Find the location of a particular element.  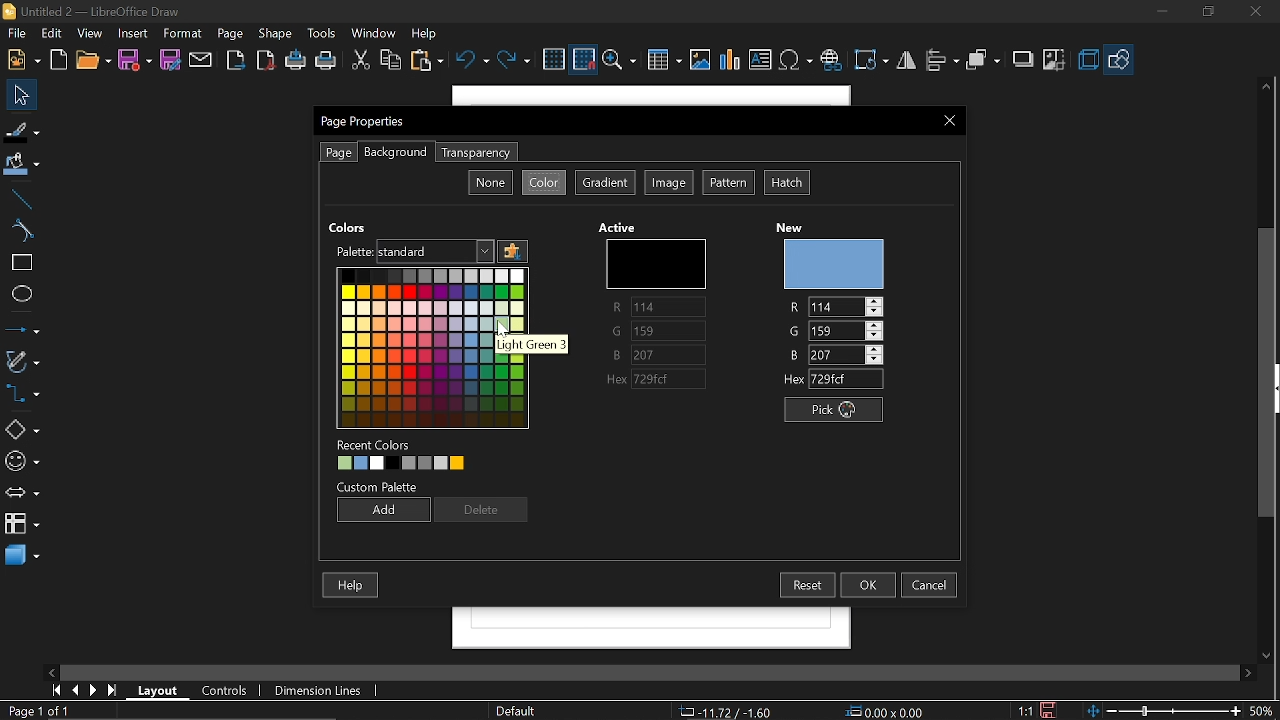

Basic hapes is located at coordinates (1120, 59).